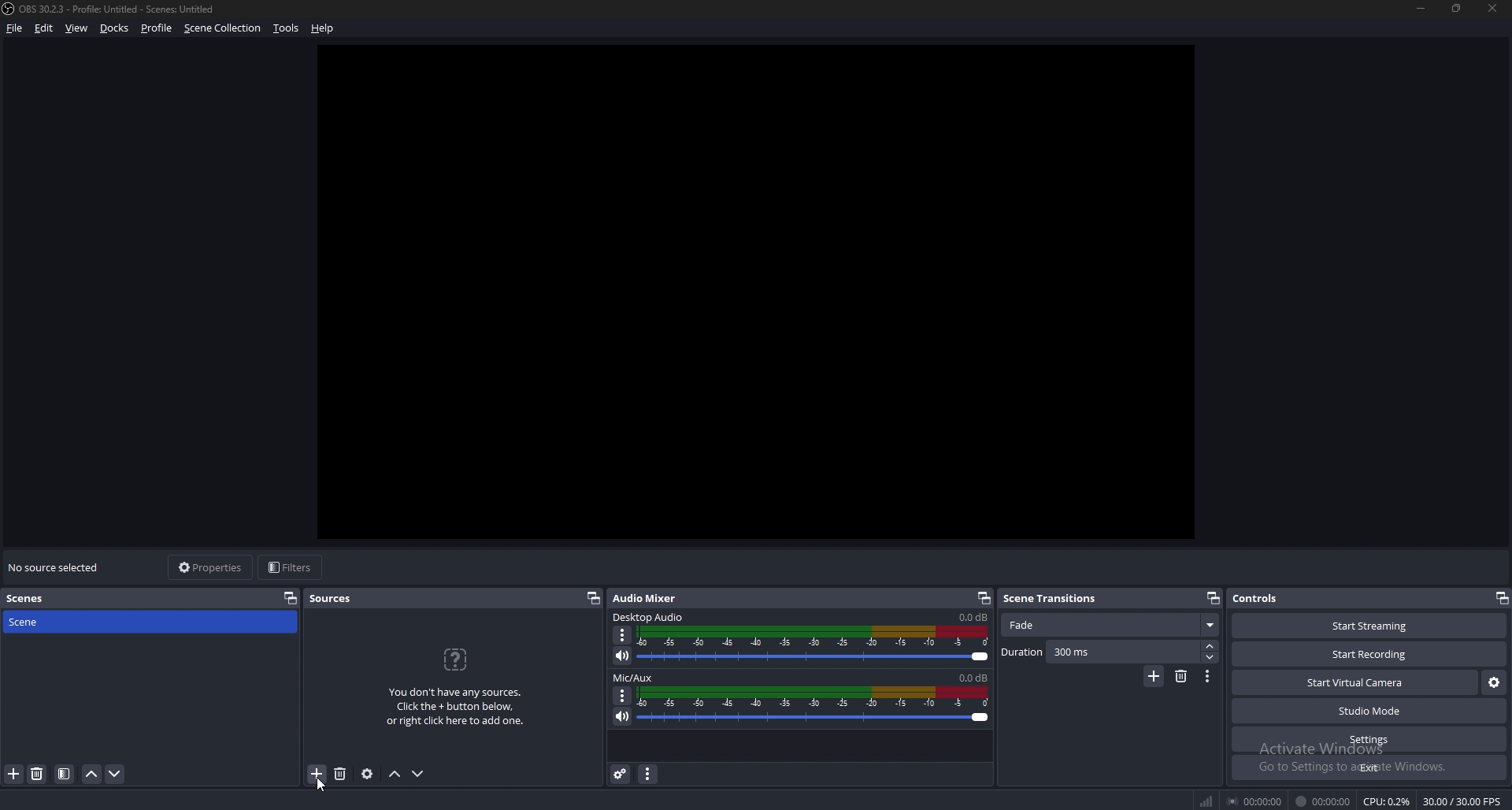  I want to click on Audio in decibels, so click(972, 616).